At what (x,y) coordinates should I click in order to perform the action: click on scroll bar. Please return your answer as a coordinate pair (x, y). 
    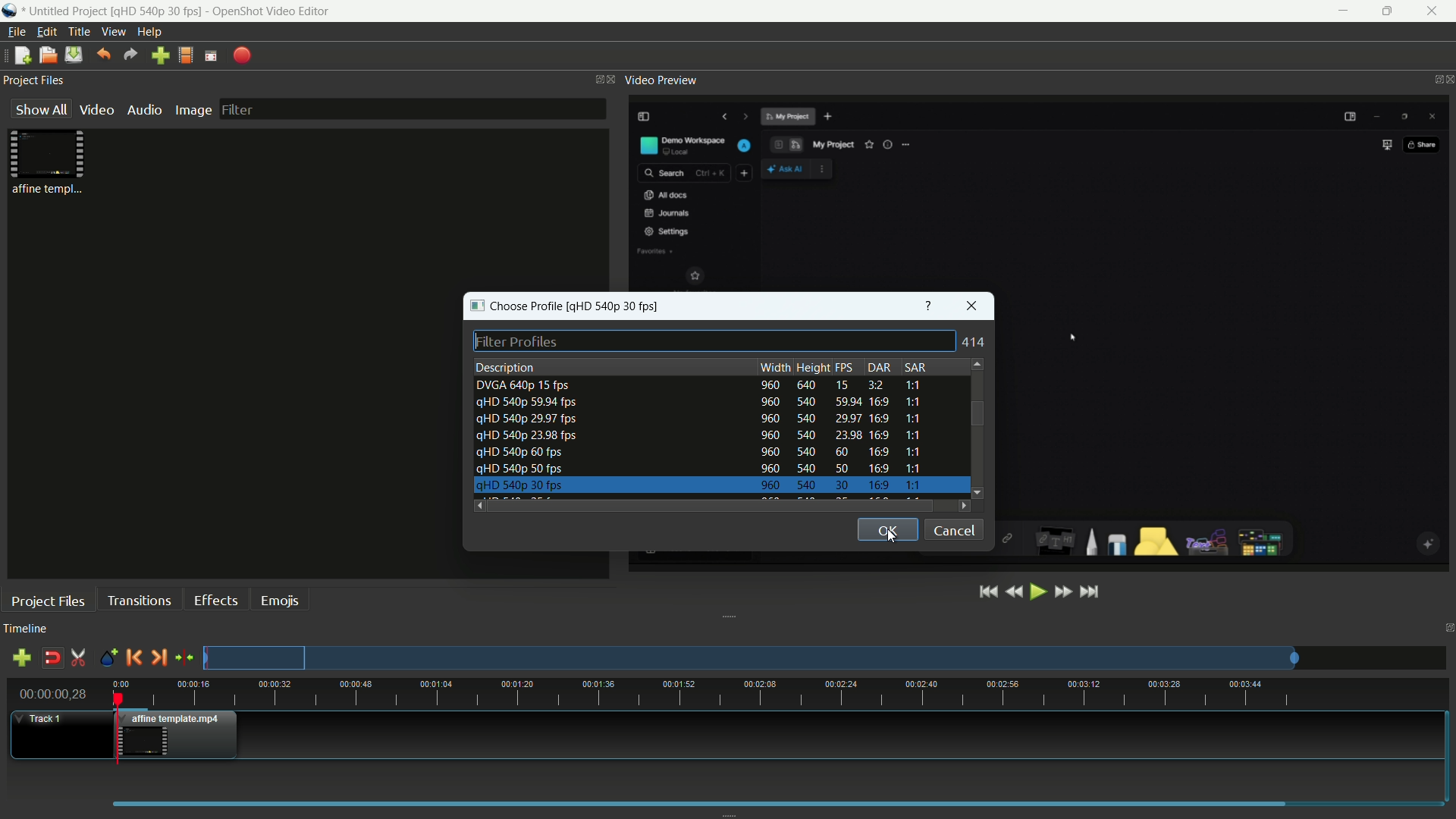
    Looking at the image, I should click on (976, 413).